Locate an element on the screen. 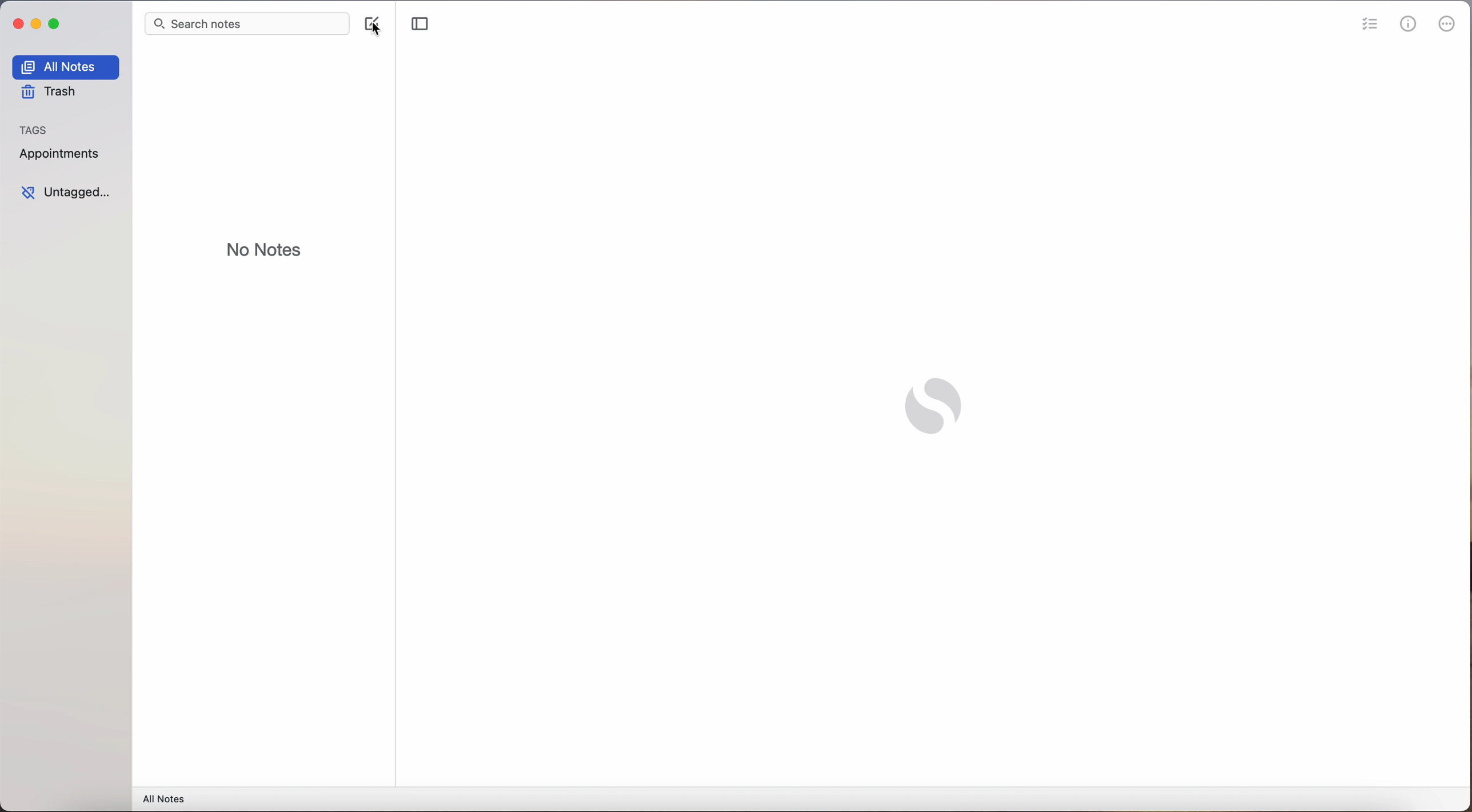 The image size is (1472, 812). search bar is located at coordinates (246, 24).